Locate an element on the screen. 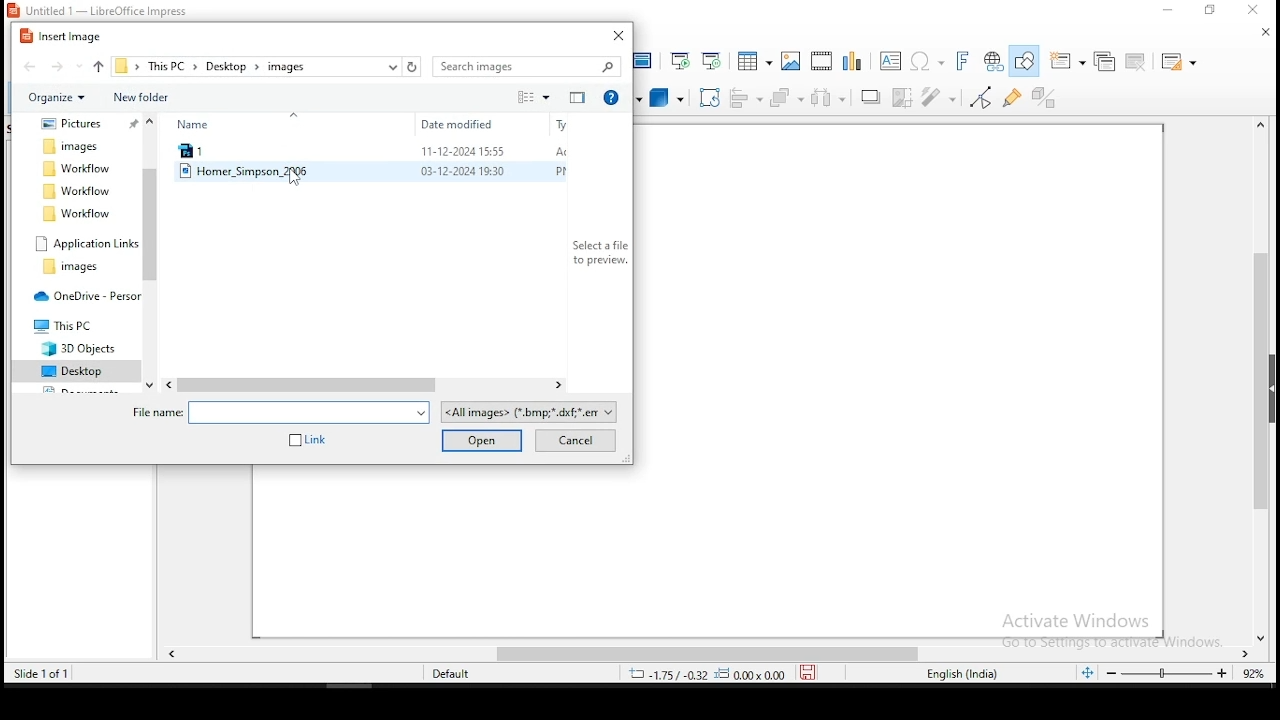  arrange is located at coordinates (785, 95).